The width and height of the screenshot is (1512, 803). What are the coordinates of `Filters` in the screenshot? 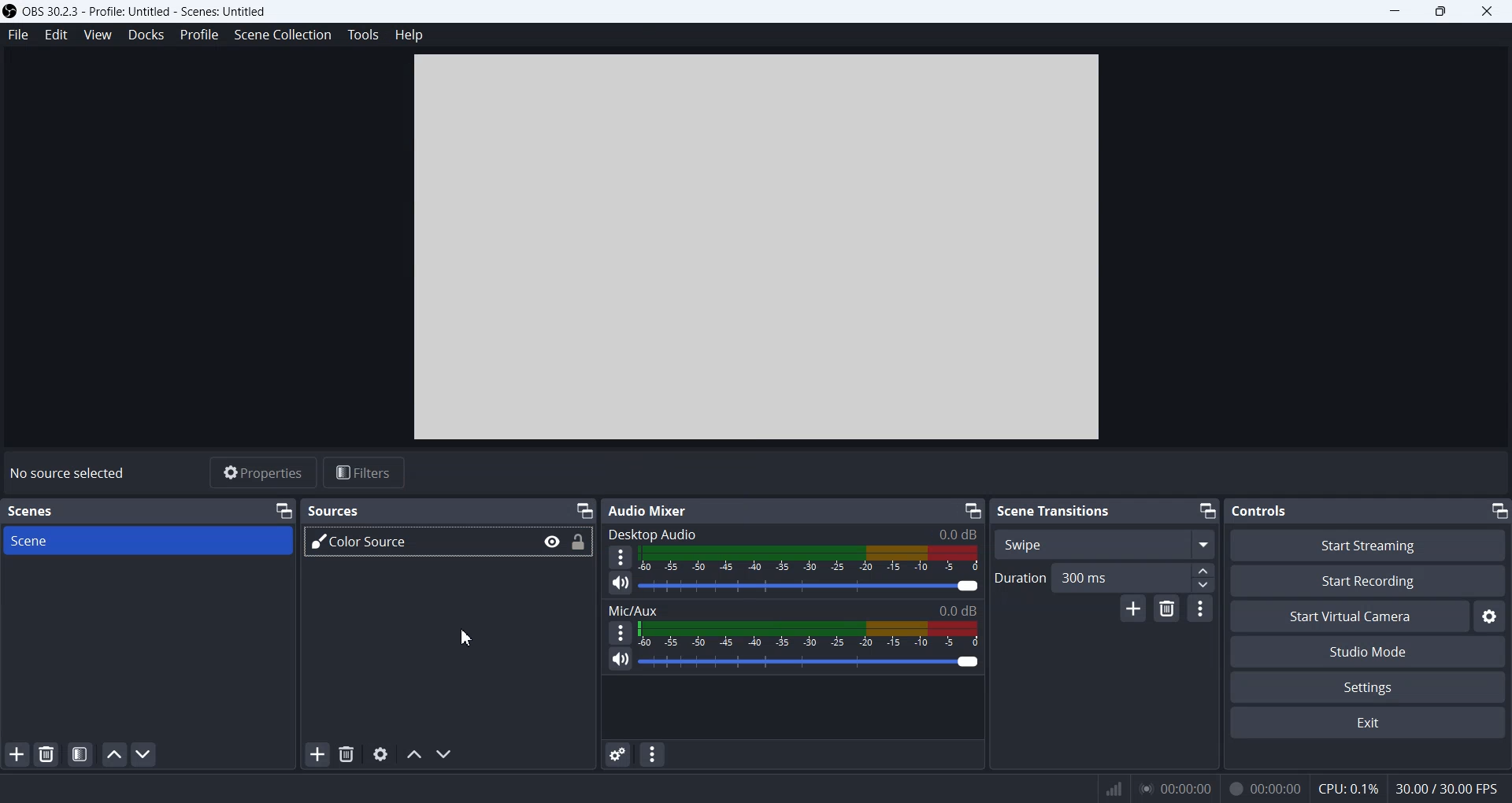 It's located at (365, 473).